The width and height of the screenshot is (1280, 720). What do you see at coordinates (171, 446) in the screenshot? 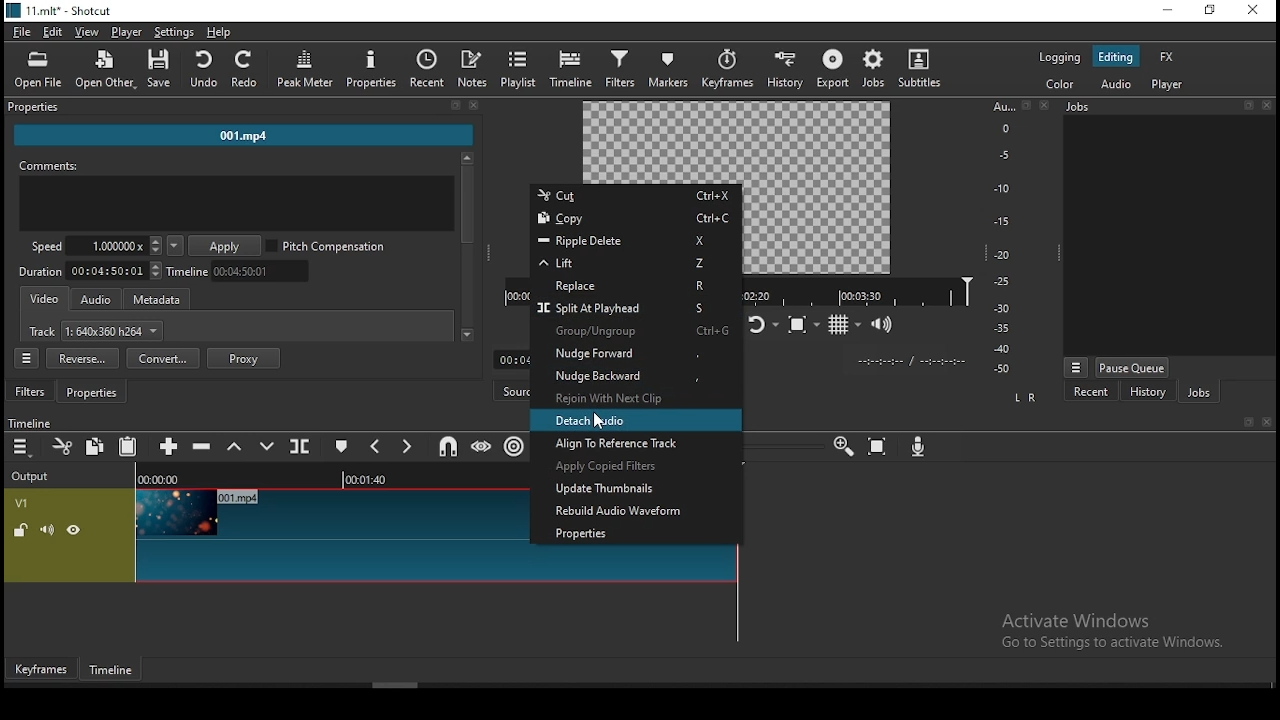
I see `append` at bounding box center [171, 446].